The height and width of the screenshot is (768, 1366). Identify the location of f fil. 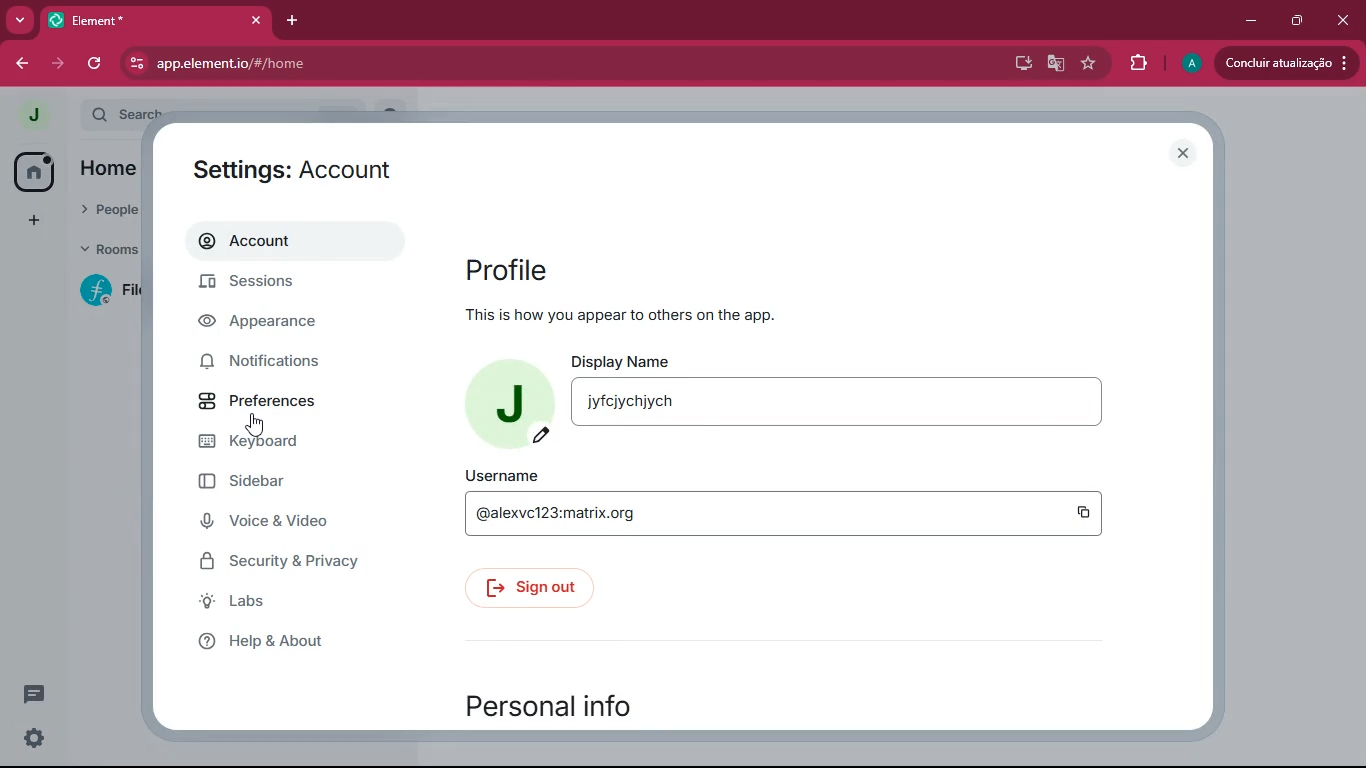
(103, 292).